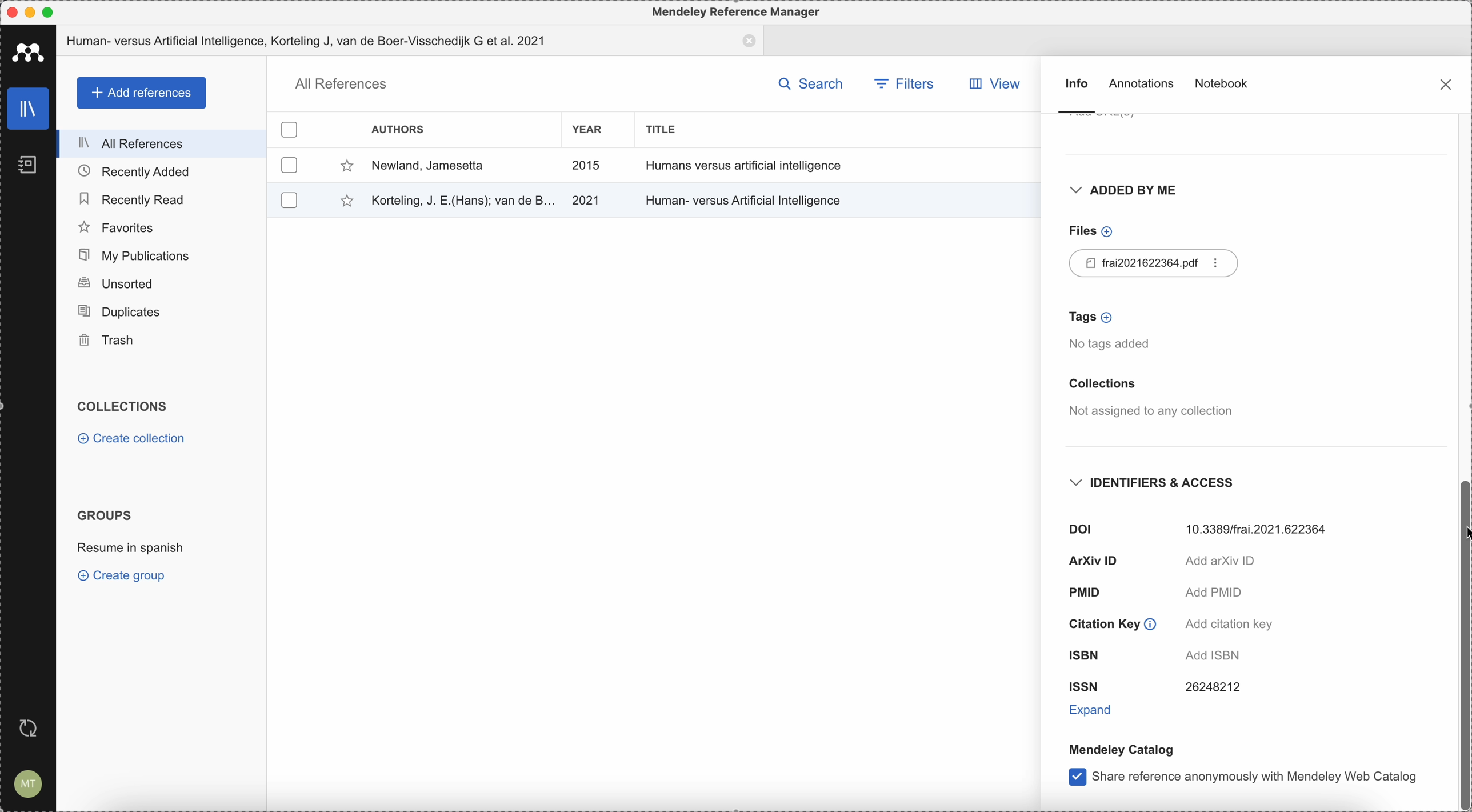 Image resolution: width=1472 pixels, height=812 pixels. What do you see at coordinates (1445, 83) in the screenshot?
I see `close` at bounding box center [1445, 83].